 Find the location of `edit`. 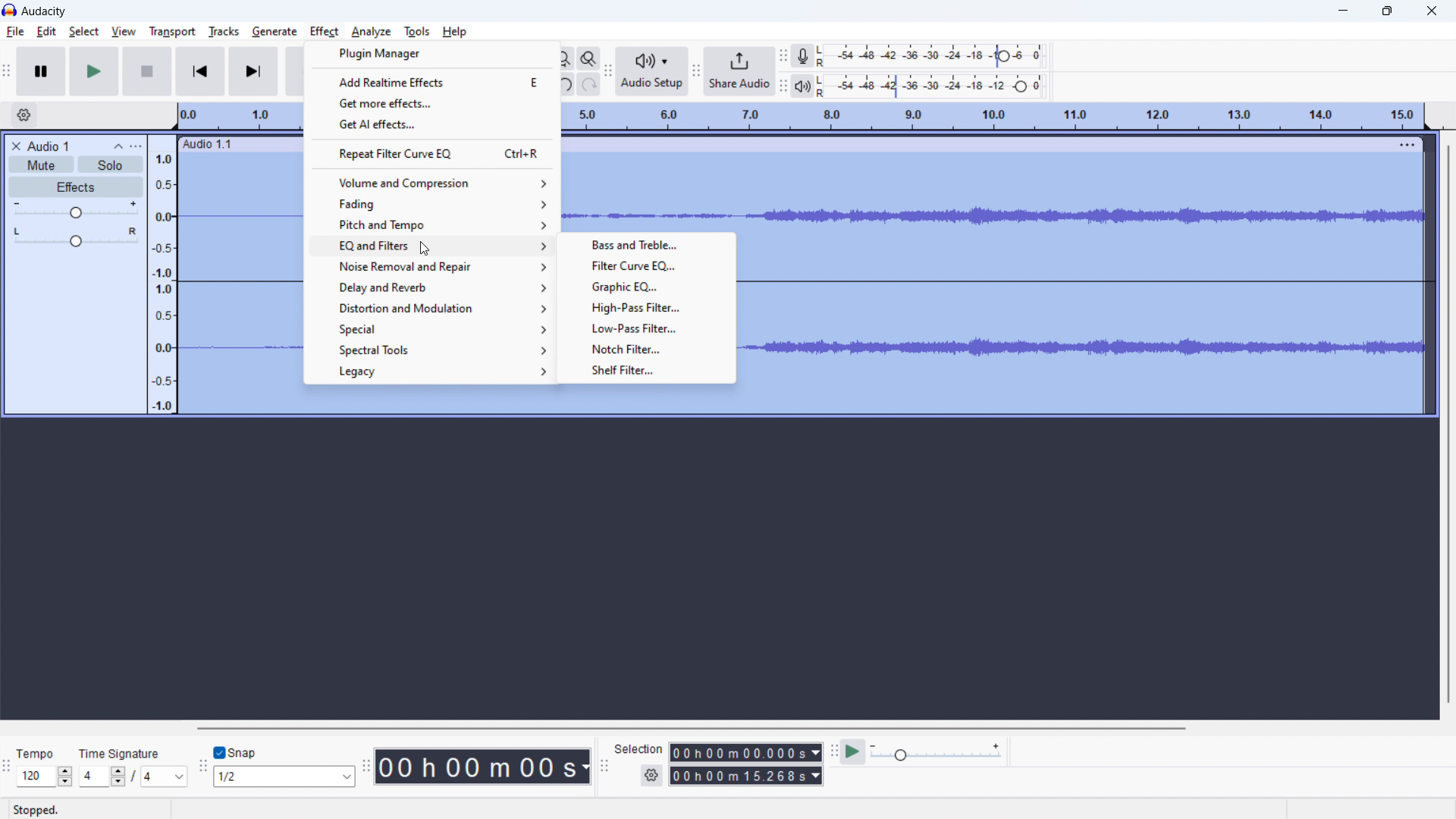

edit is located at coordinates (47, 32).